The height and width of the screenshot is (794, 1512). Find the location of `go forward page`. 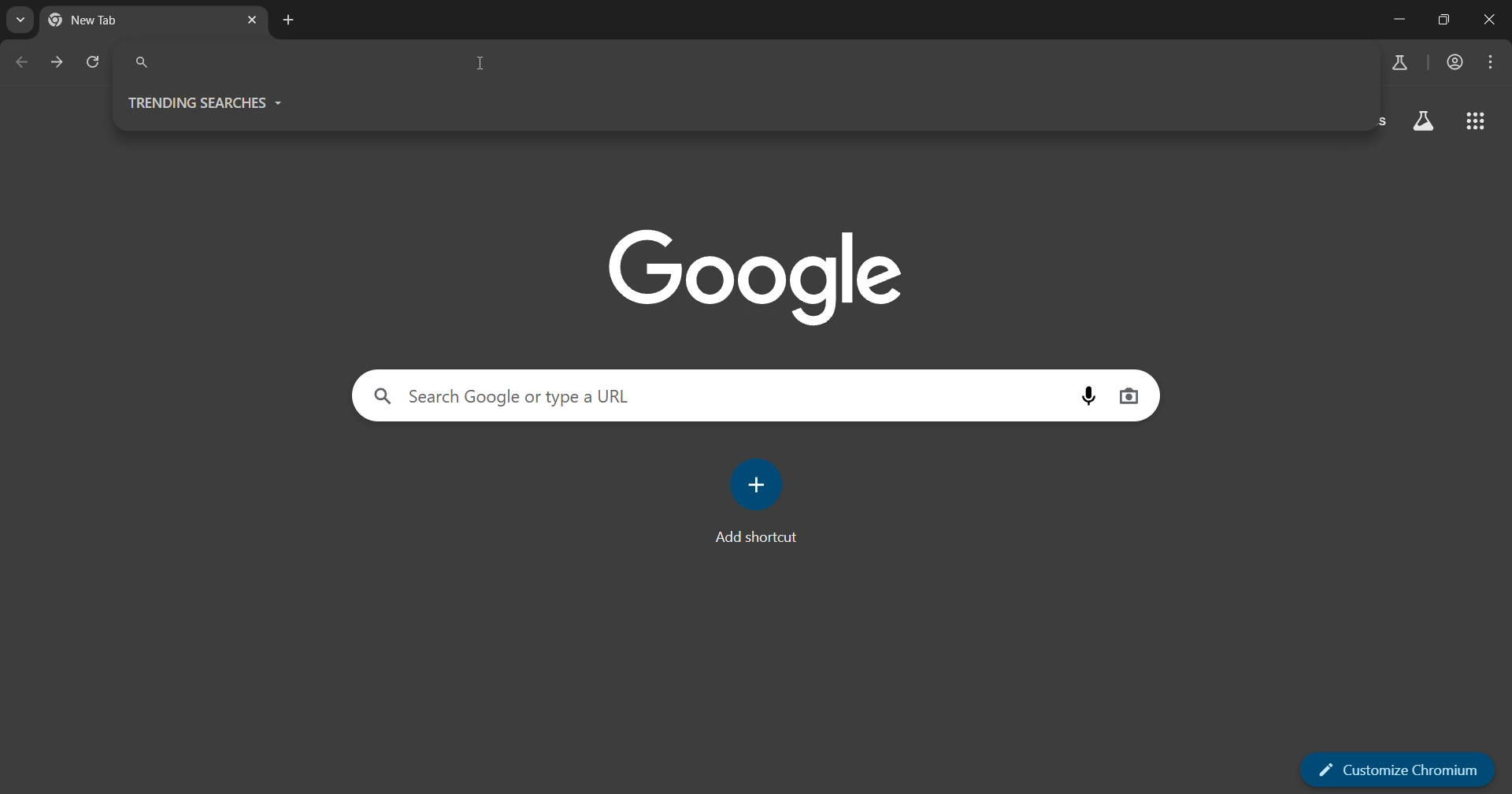

go forward page is located at coordinates (57, 61).